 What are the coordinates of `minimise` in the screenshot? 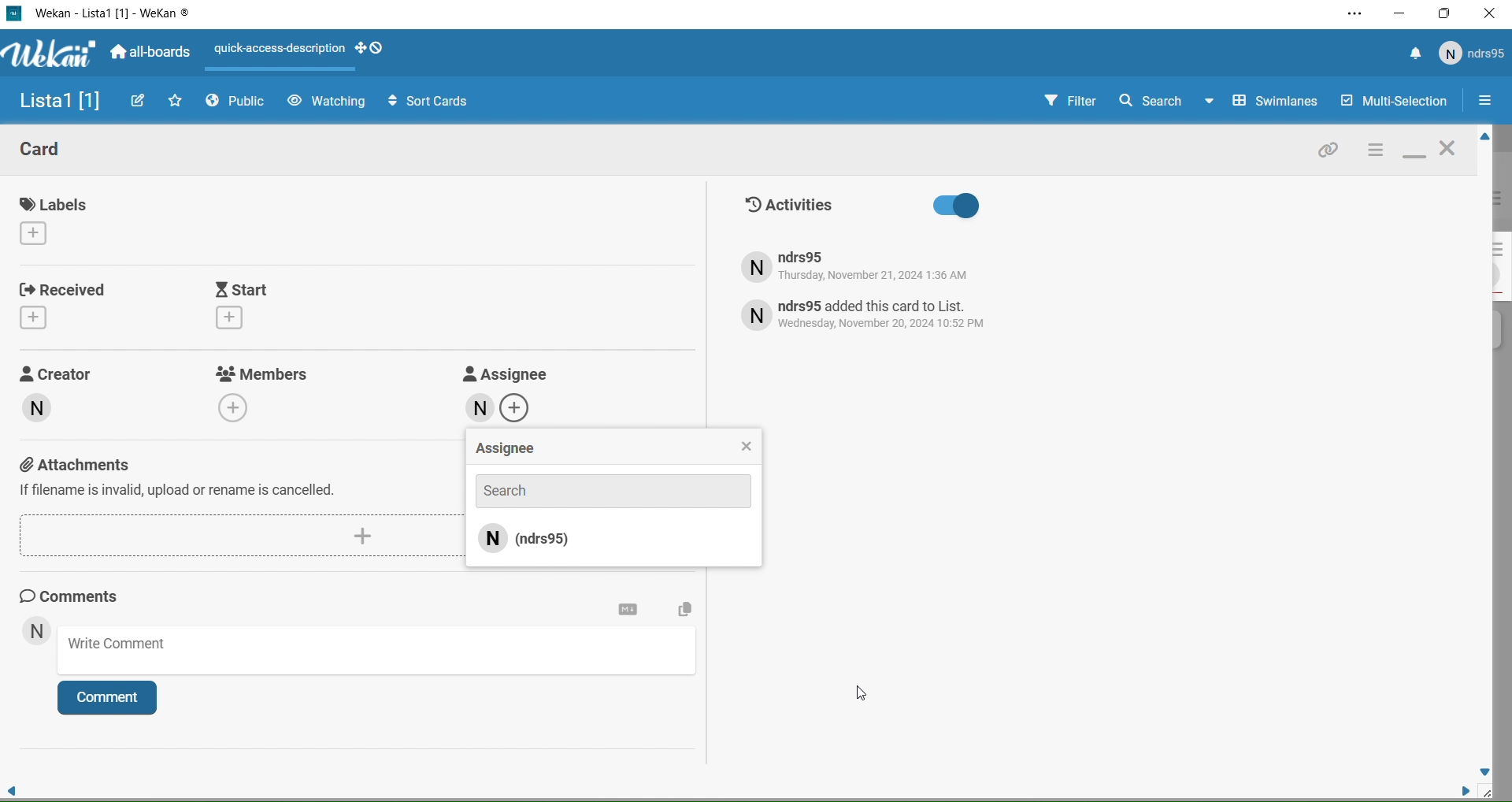 It's located at (1414, 153).